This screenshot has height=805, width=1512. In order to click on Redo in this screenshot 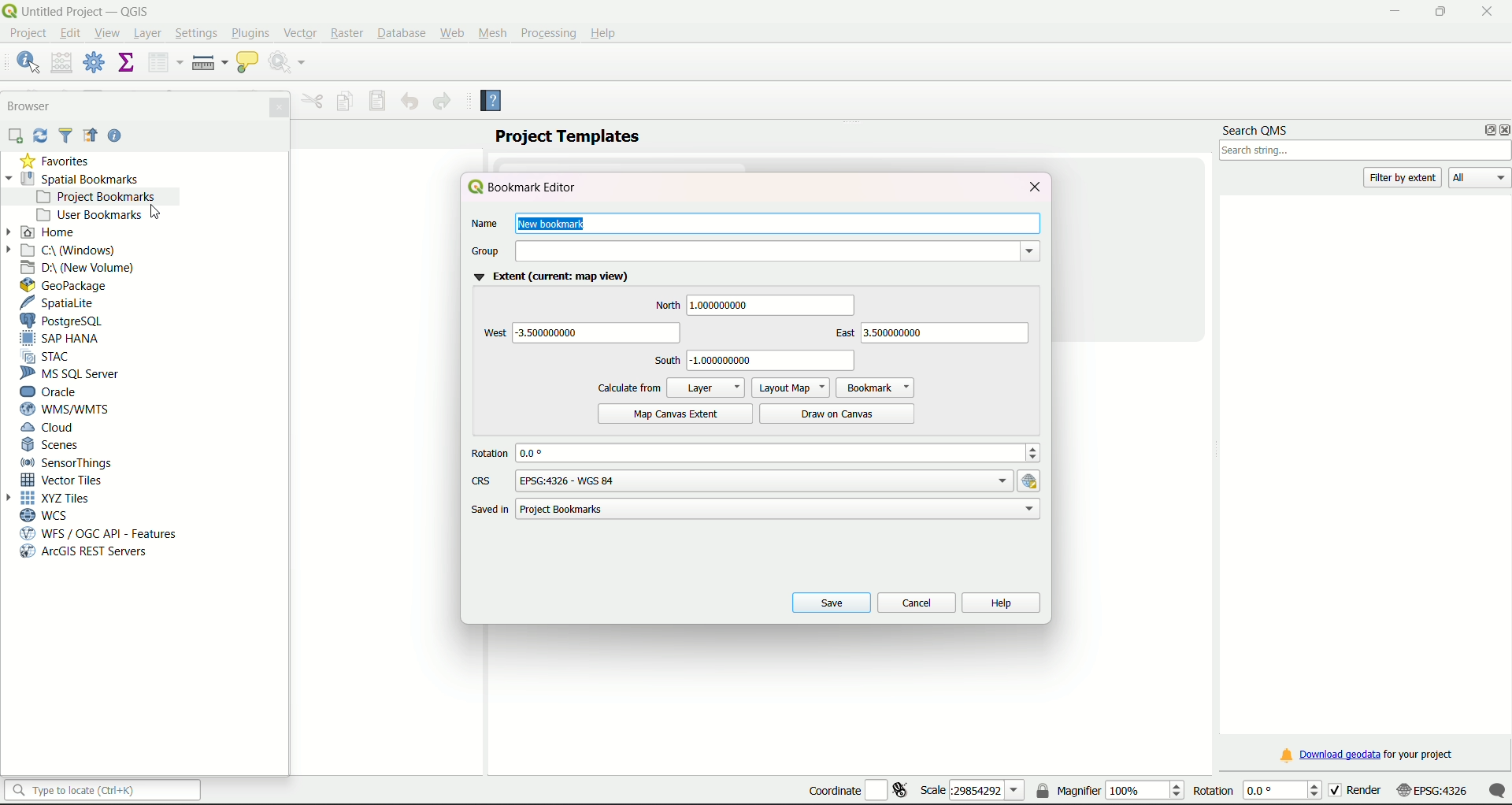, I will do `click(442, 102)`.